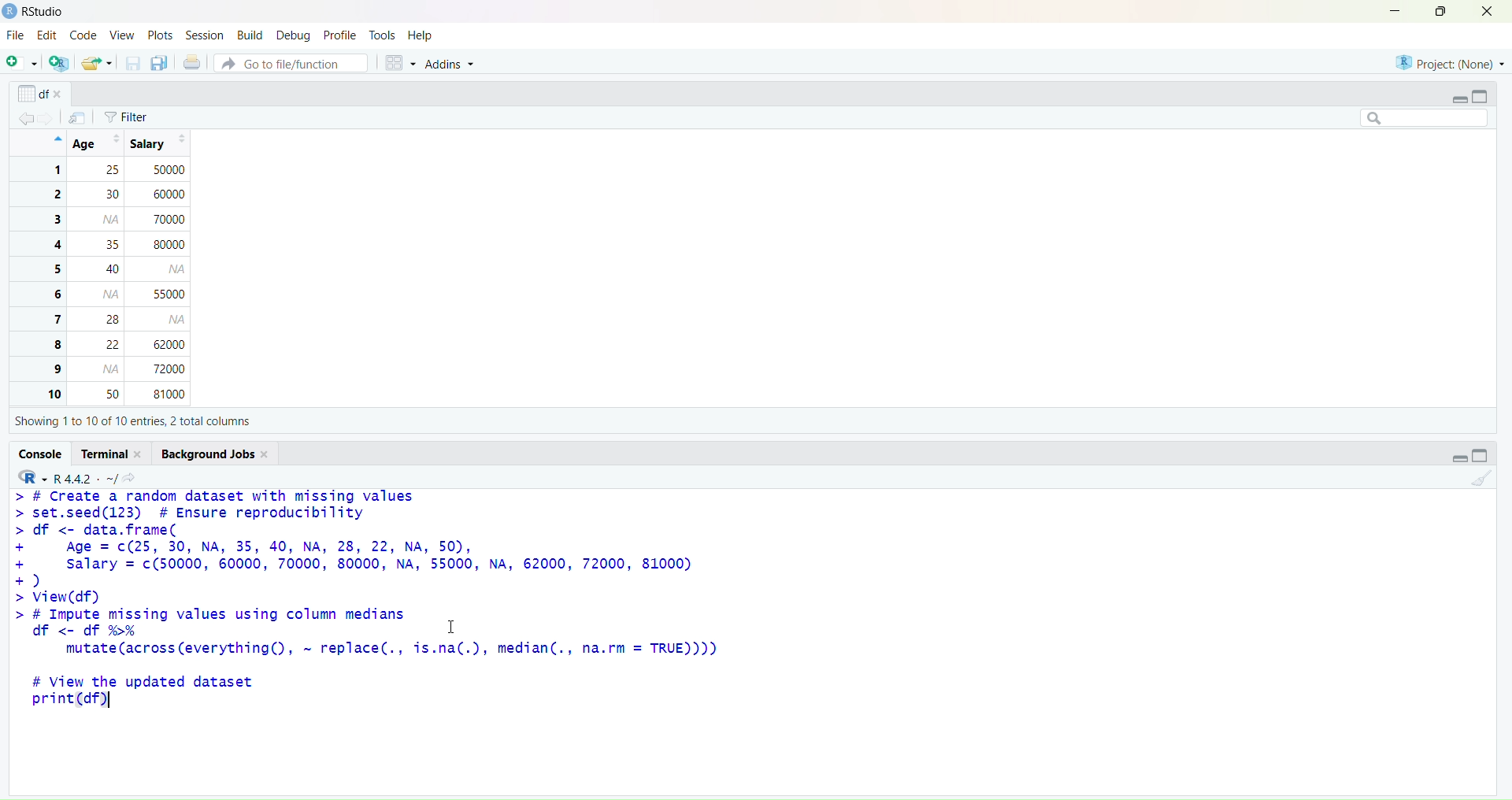 This screenshot has width=1512, height=800. Describe the element at coordinates (421, 35) in the screenshot. I see `help` at that location.